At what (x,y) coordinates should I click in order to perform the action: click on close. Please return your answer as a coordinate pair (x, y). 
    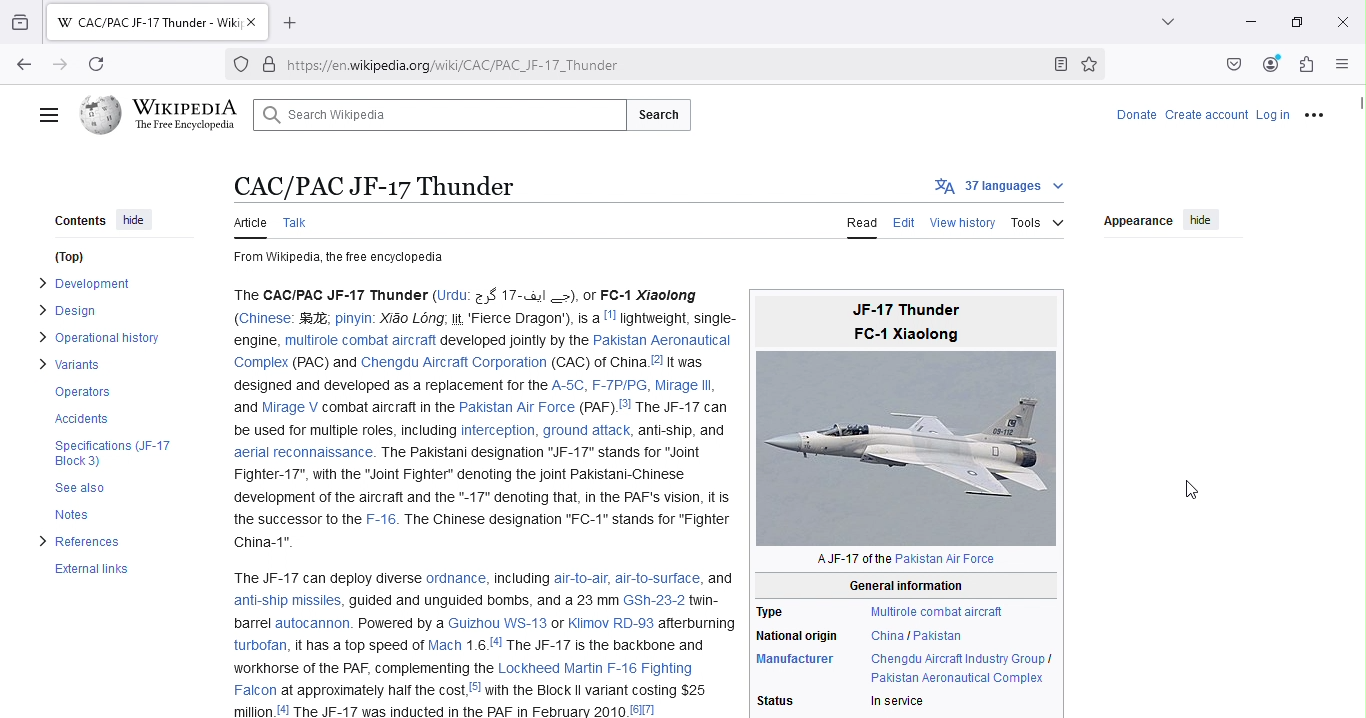
    Looking at the image, I should click on (1341, 23).